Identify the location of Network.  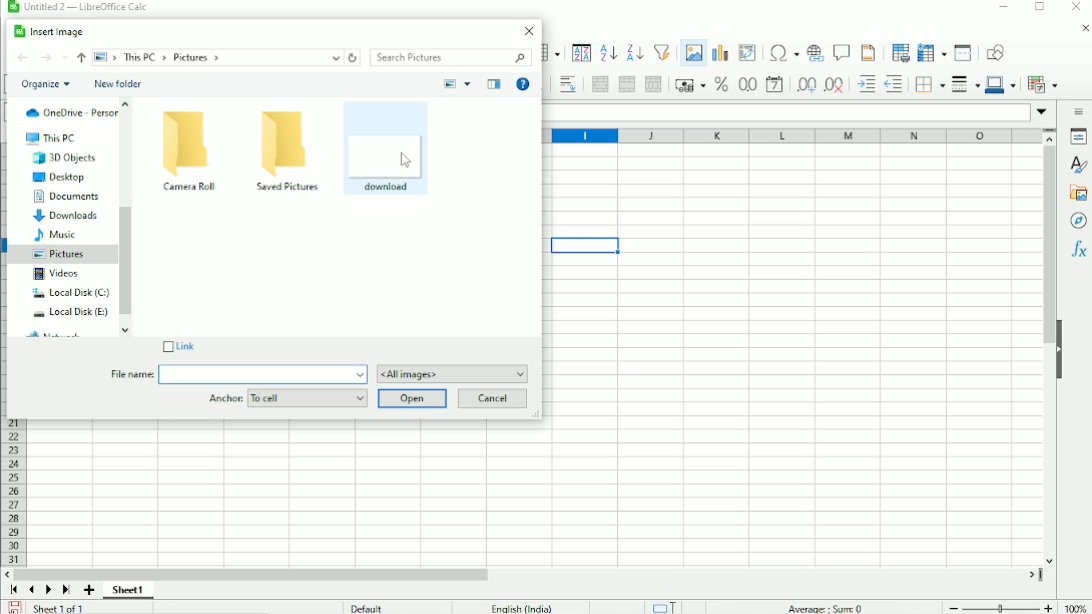
(54, 333).